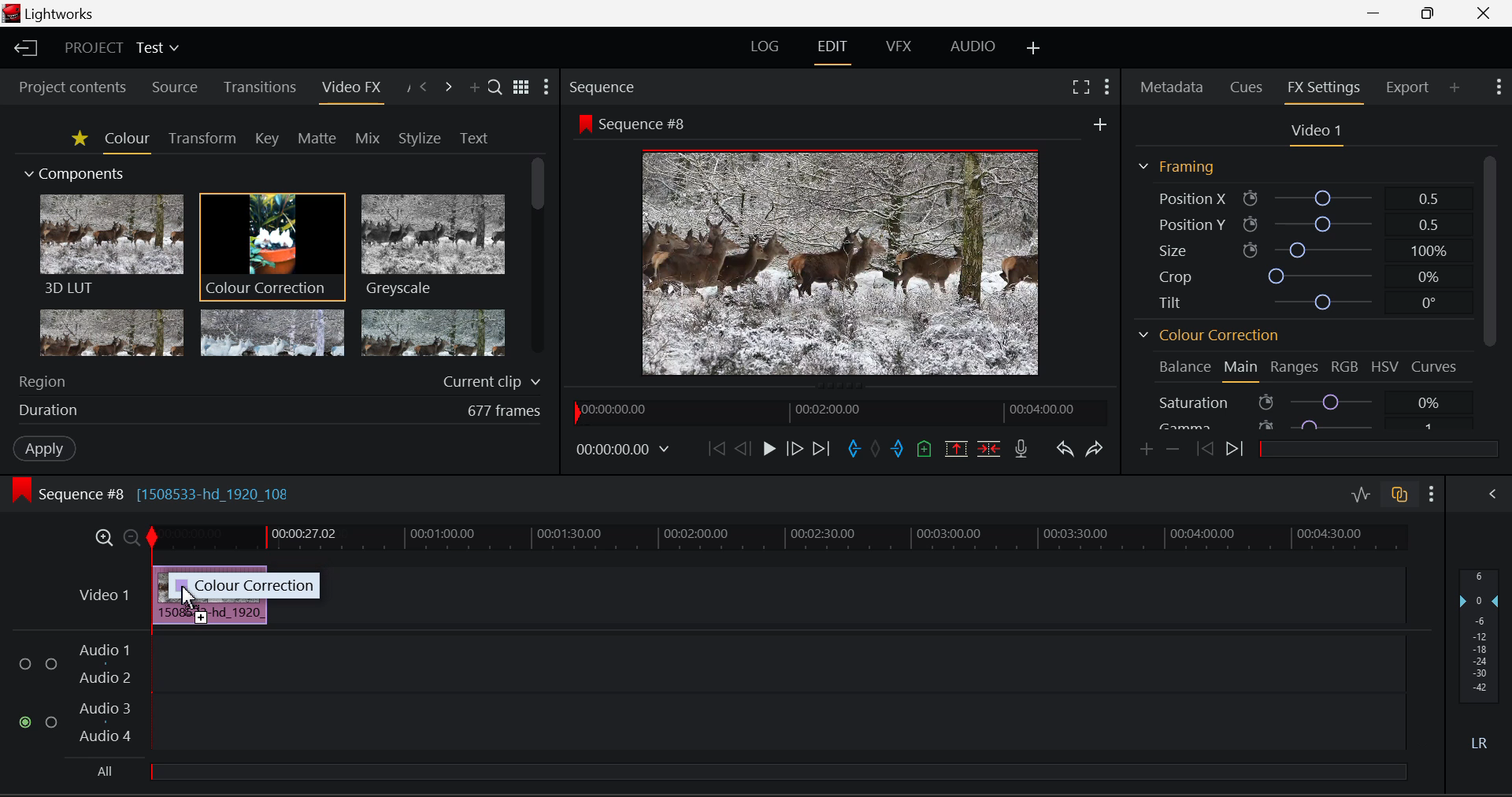 The image size is (1512, 797). What do you see at coordinates (54, 13) in the screenshot?
I see `Window Title` at bounding box center [54, 13].